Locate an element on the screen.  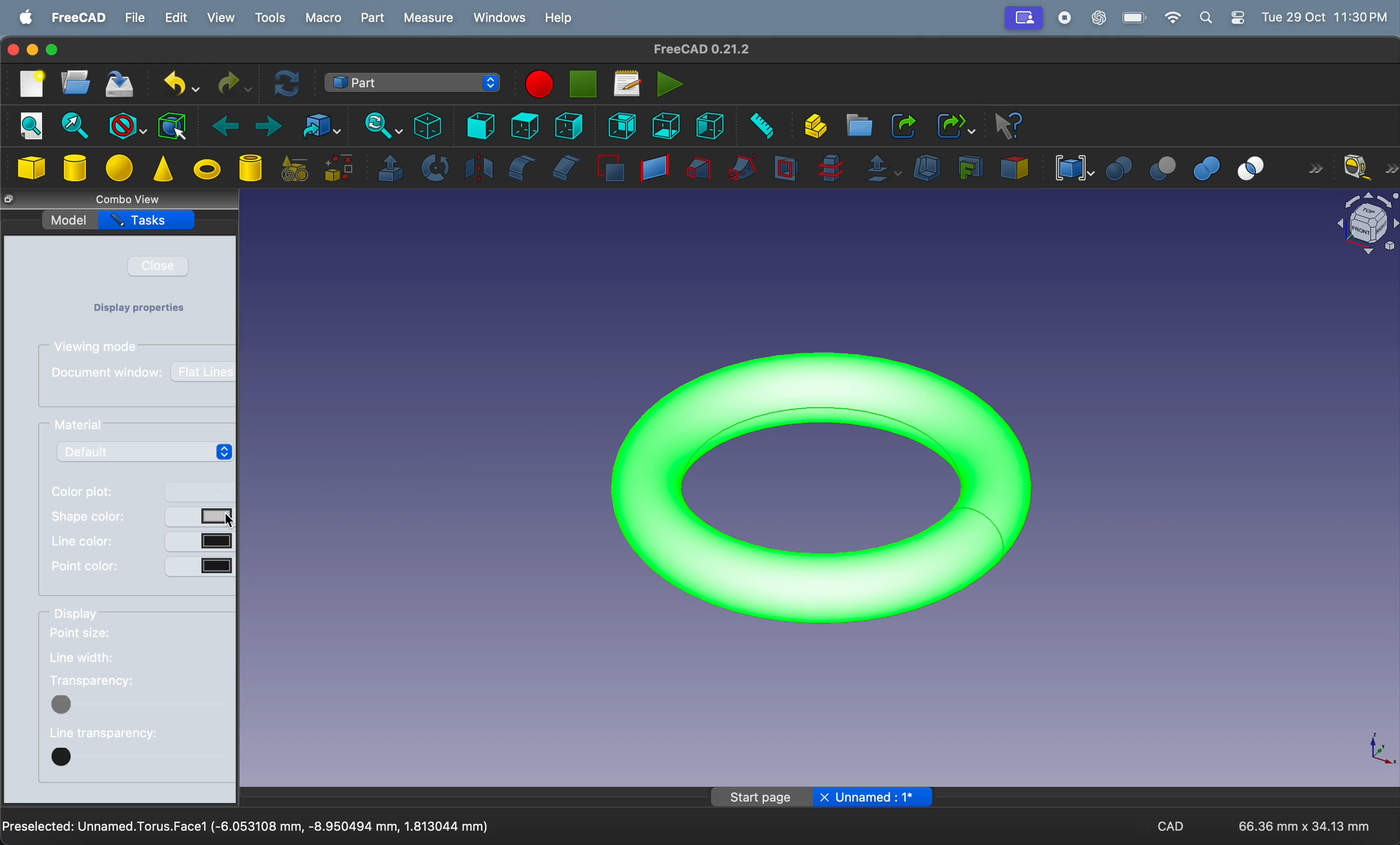
create folder is located at coordinates (859, 126).